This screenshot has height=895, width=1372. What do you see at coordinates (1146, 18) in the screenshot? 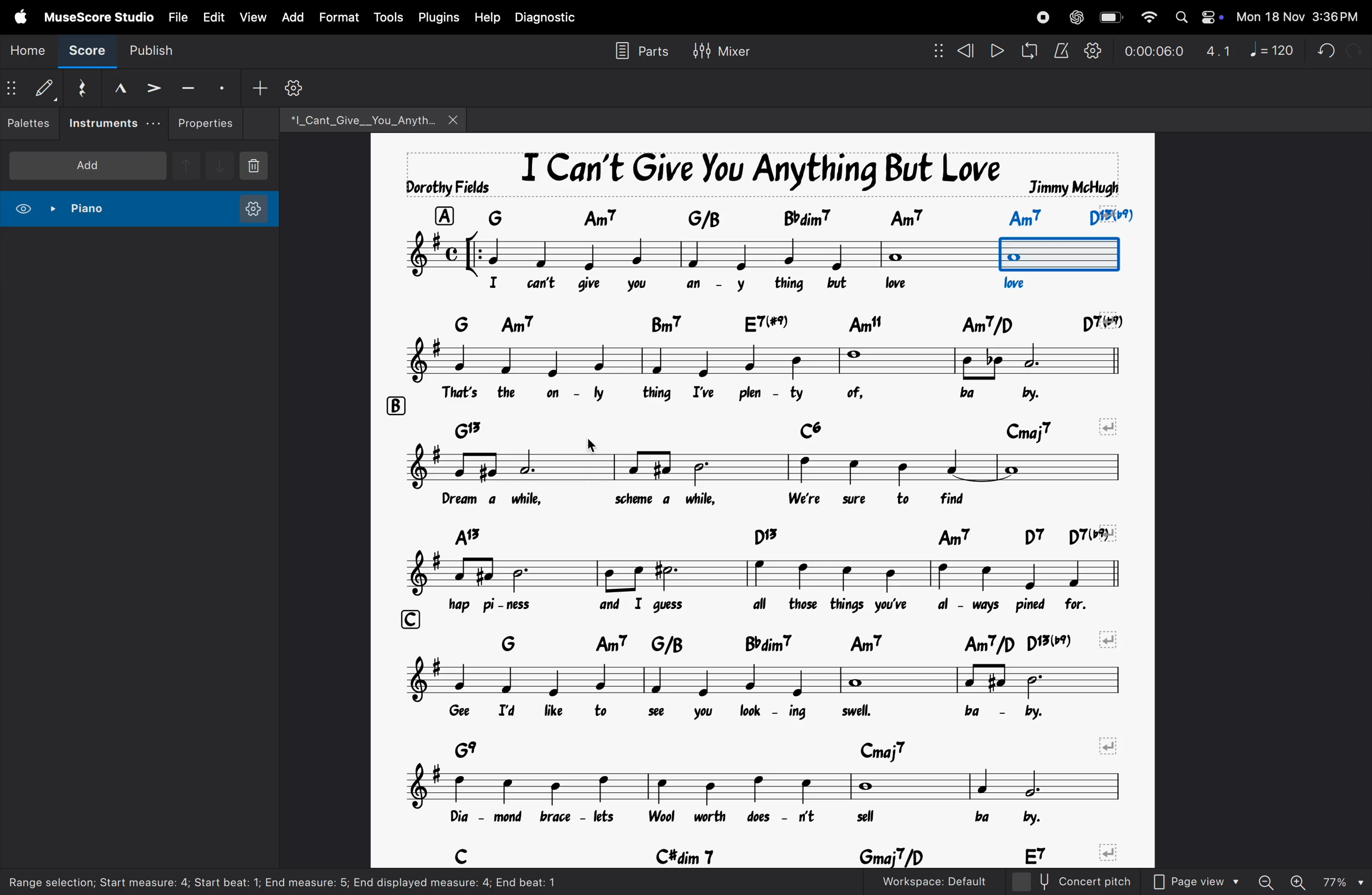
I see `wifi` at bounding box center [1146, 18].